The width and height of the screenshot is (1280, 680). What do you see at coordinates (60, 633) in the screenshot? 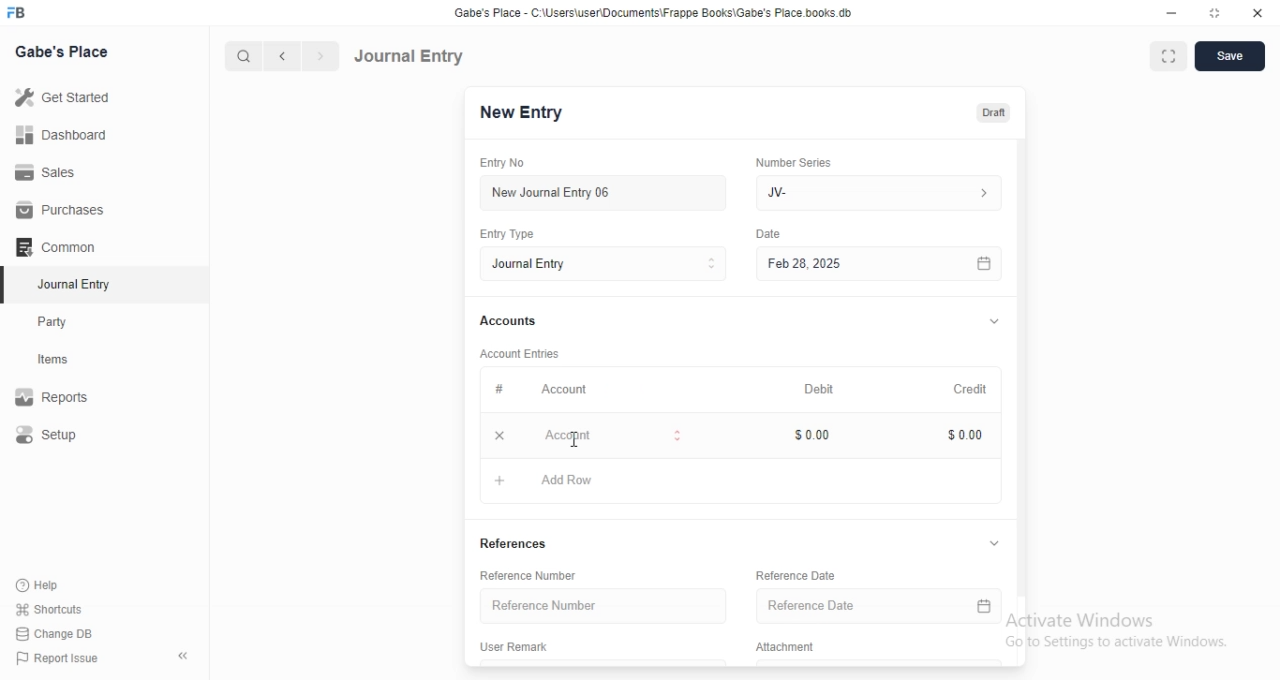
I see `Change DB` at bounding box center [60, 633].